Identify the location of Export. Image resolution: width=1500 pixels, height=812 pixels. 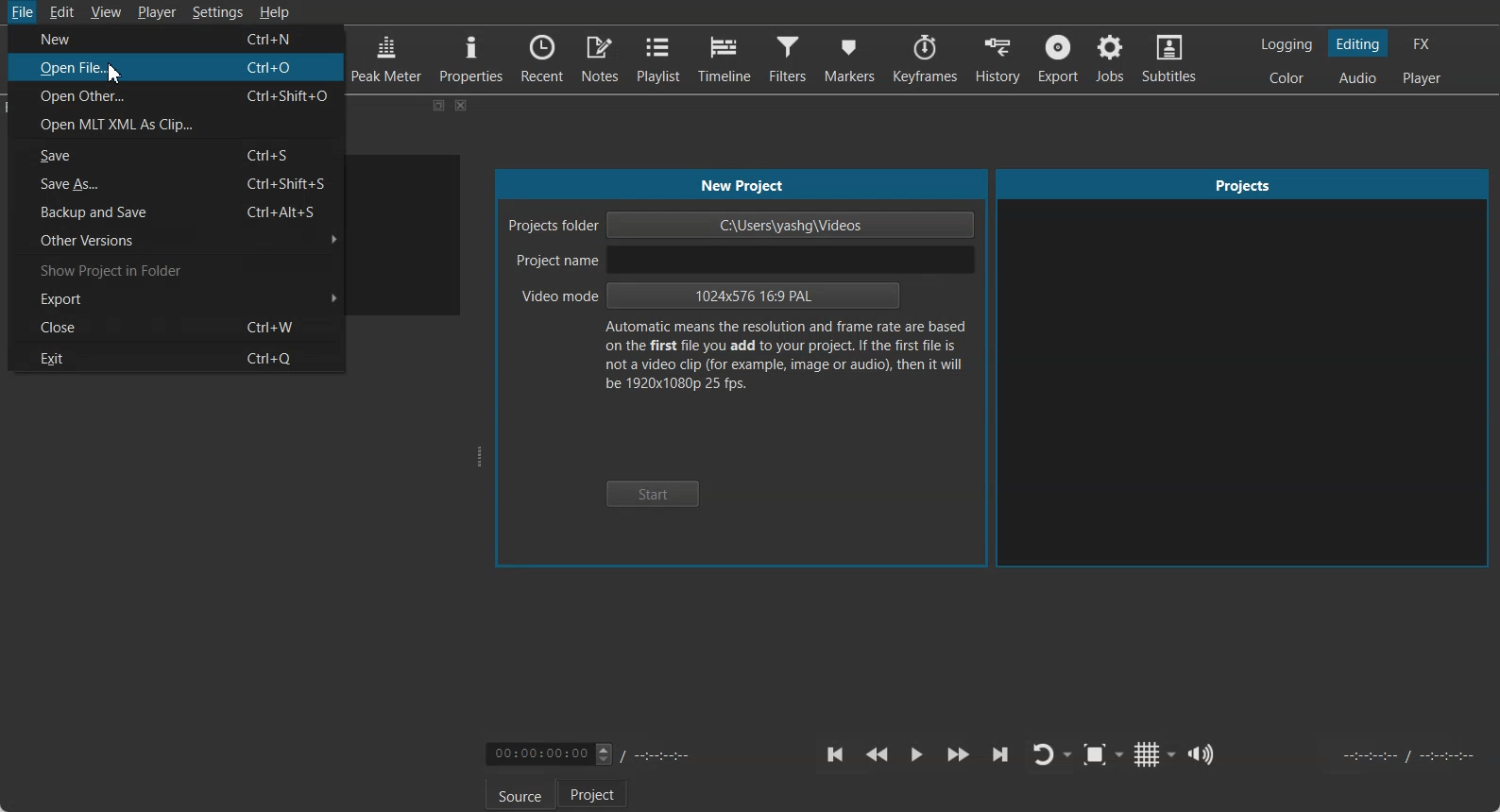
(1058, 59).